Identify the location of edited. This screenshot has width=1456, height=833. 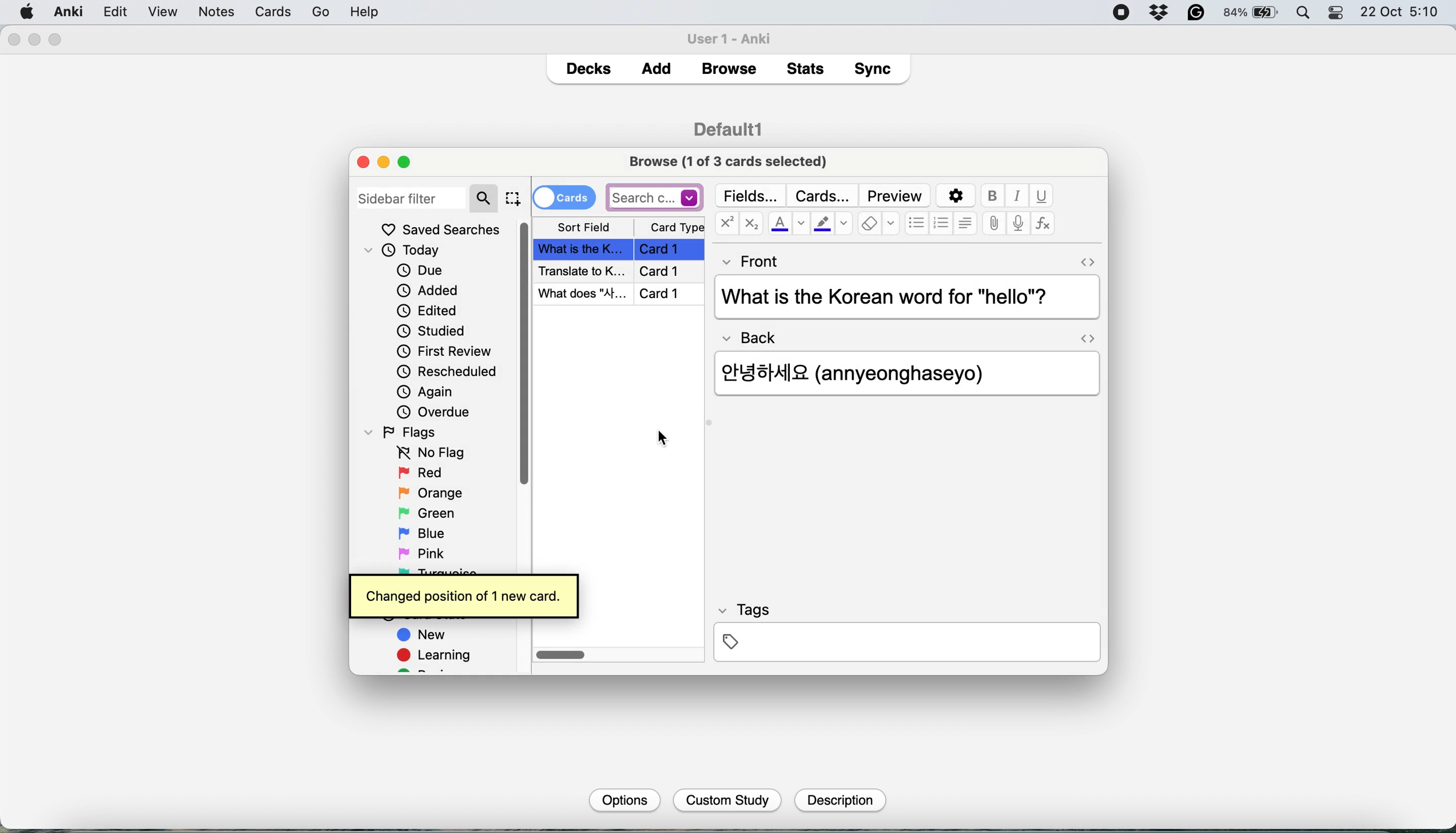
(428, 311).